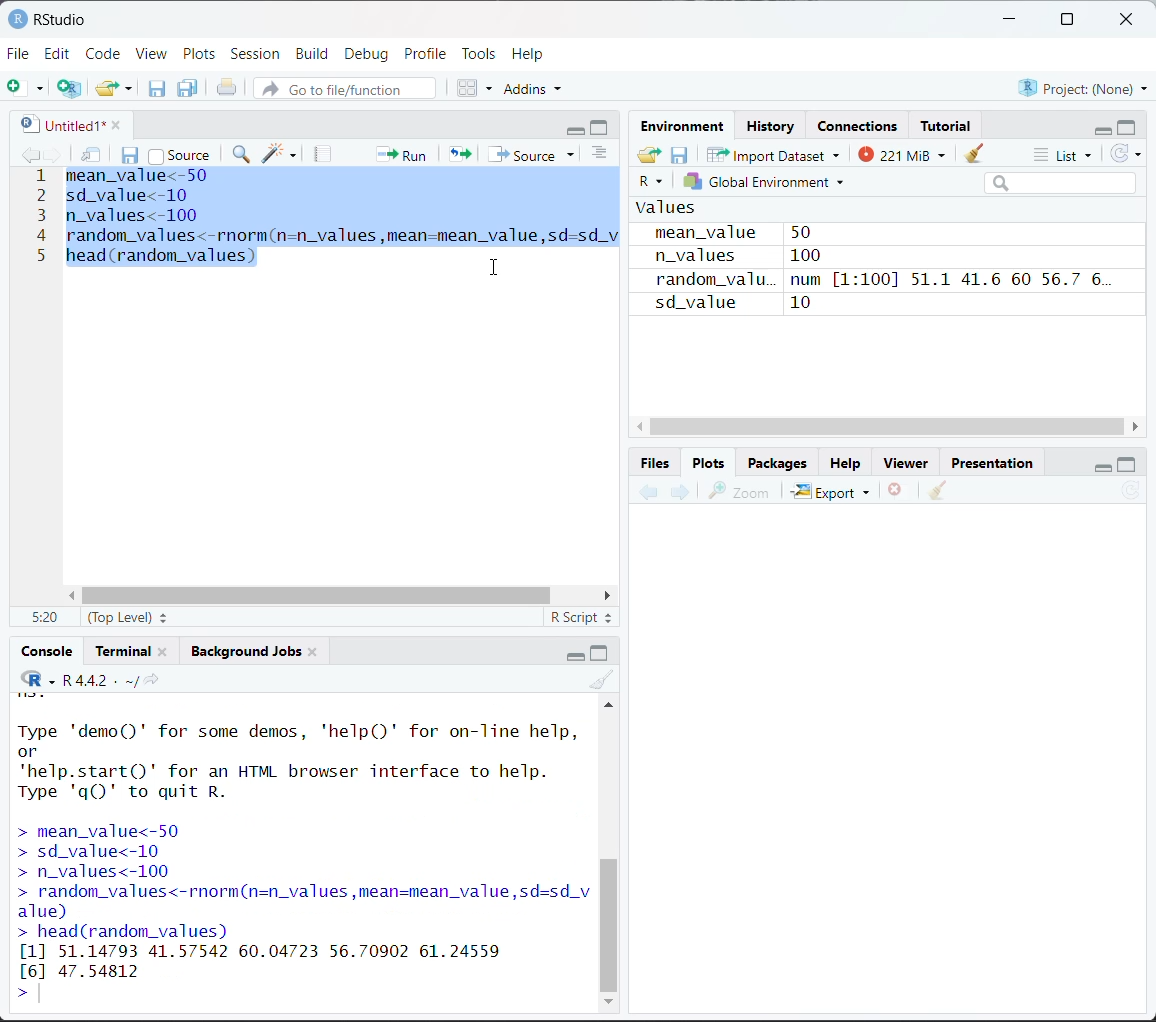 This screenshot has width=1156, height=1022. Describe the element at coordinates (131, 153) in the screenshot. I see `save current document` at that location.